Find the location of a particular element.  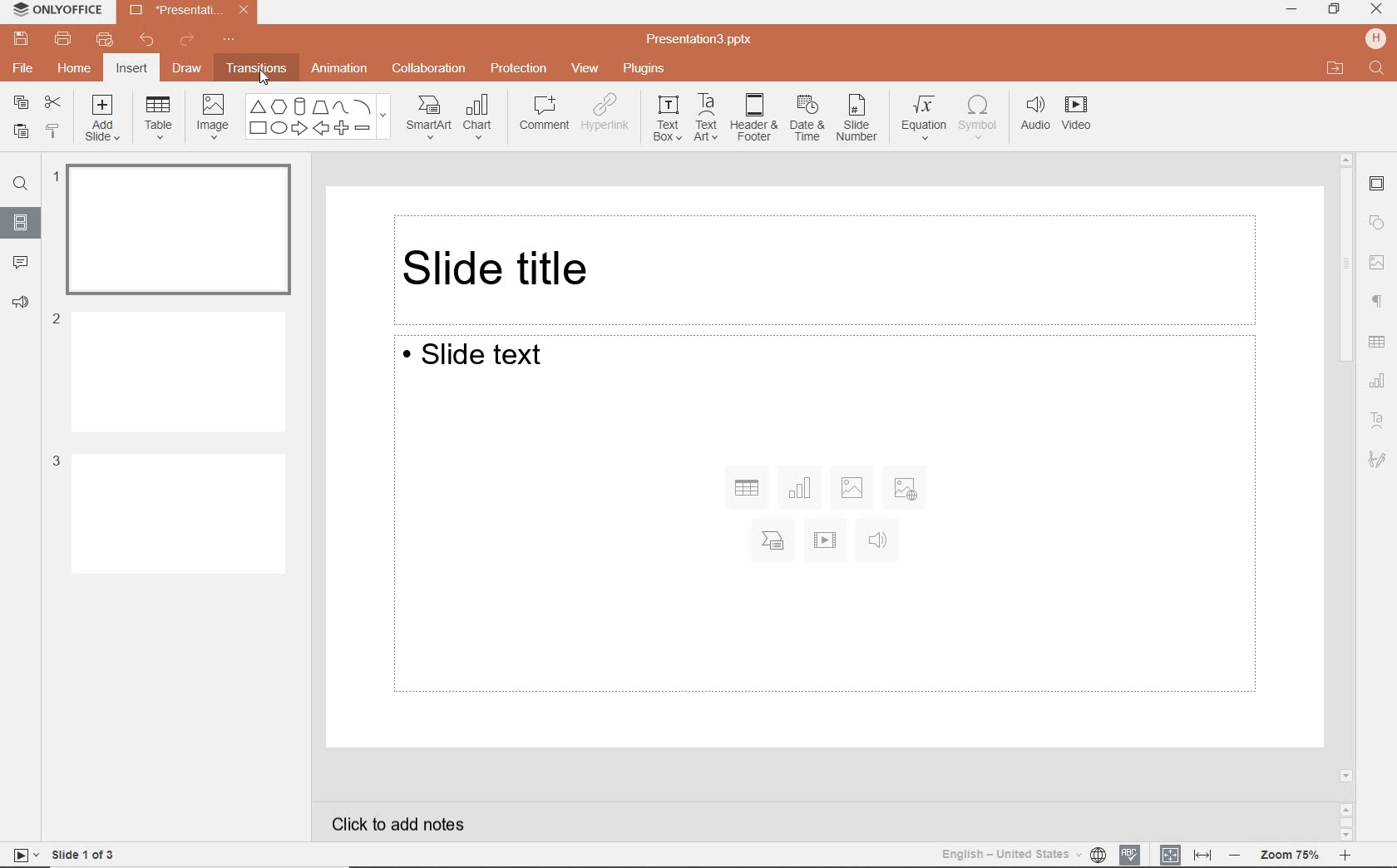

Slide Text is located at coordinates (822, 515).